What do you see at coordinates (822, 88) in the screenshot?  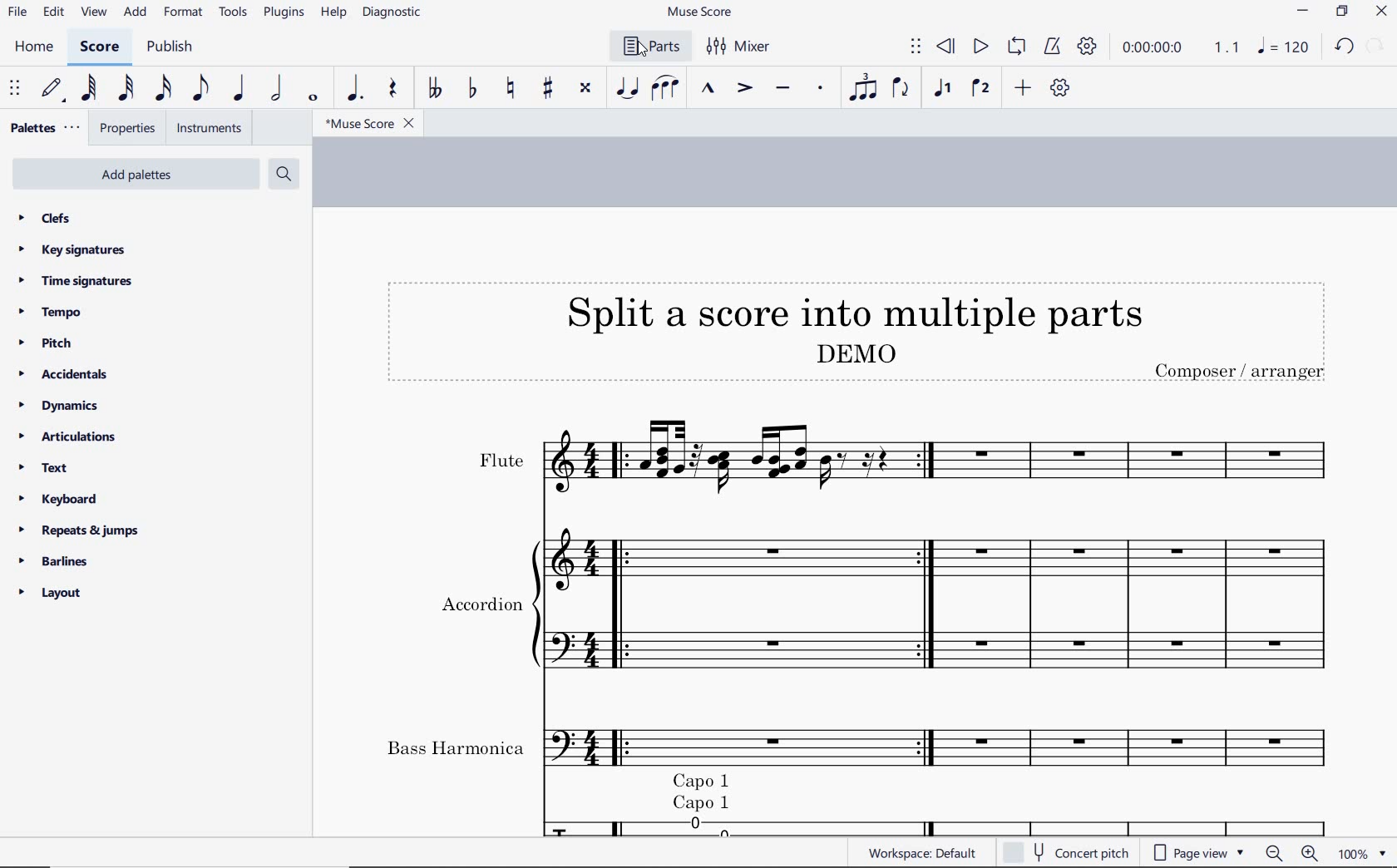 I see `staccato` at bounding box center [822, 88].